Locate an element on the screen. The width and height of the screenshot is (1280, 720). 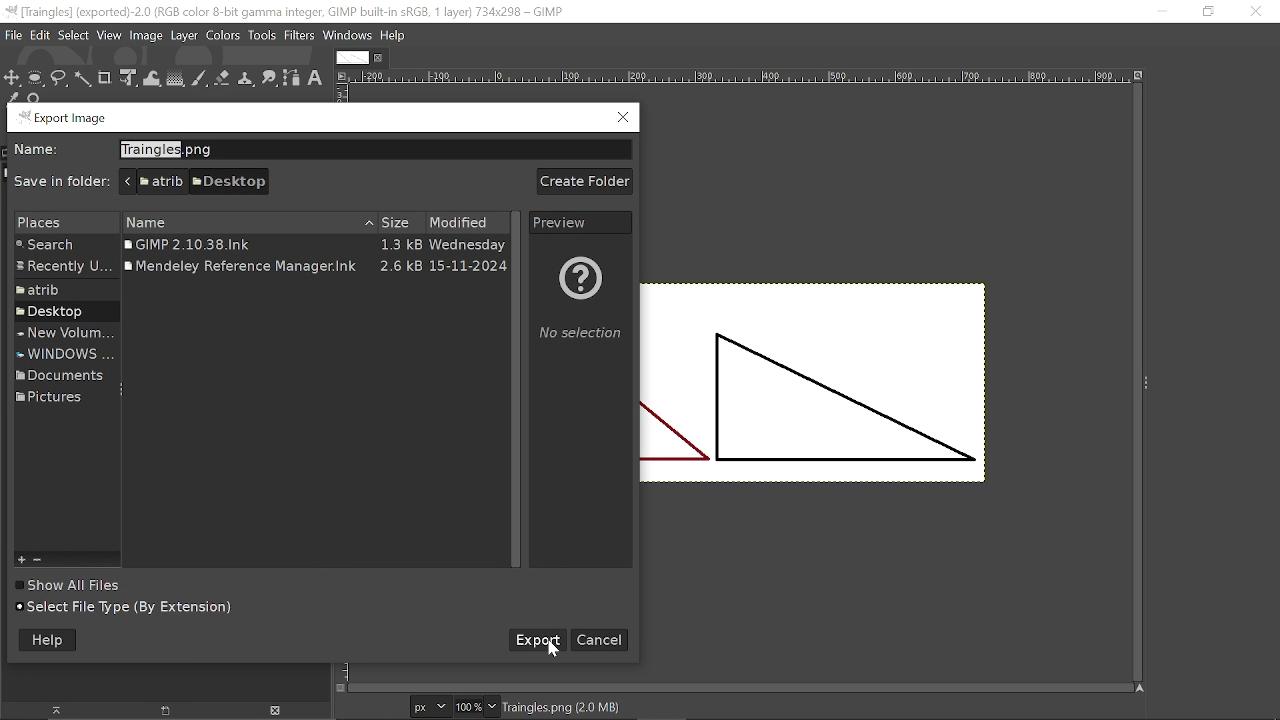
Close is located at coordinates (1257, 13).